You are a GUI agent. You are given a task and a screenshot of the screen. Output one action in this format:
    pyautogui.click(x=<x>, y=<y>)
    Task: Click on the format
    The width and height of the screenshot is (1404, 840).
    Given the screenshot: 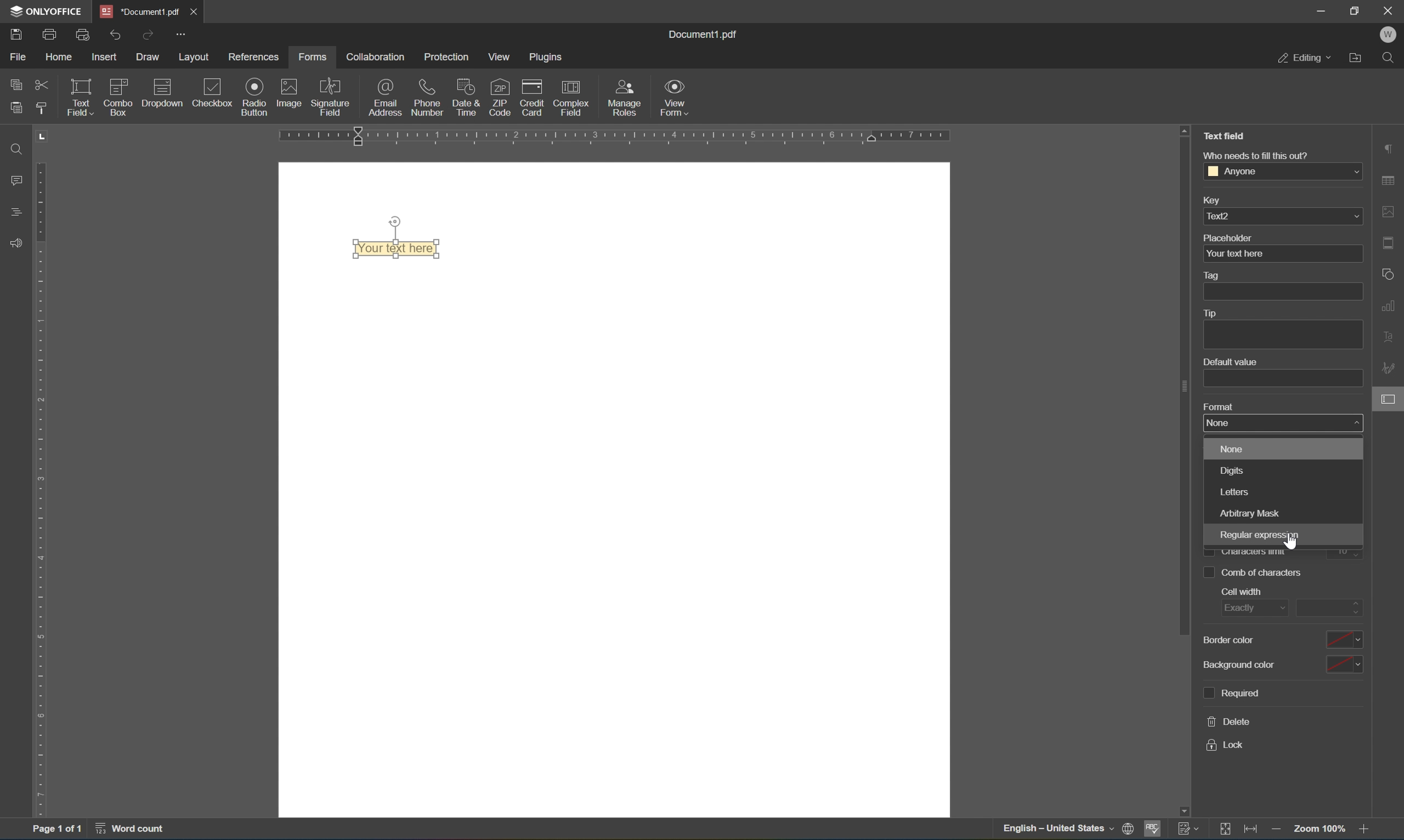 What is the action you would take?
    pyautogui.click(x=1216, y=406)
    